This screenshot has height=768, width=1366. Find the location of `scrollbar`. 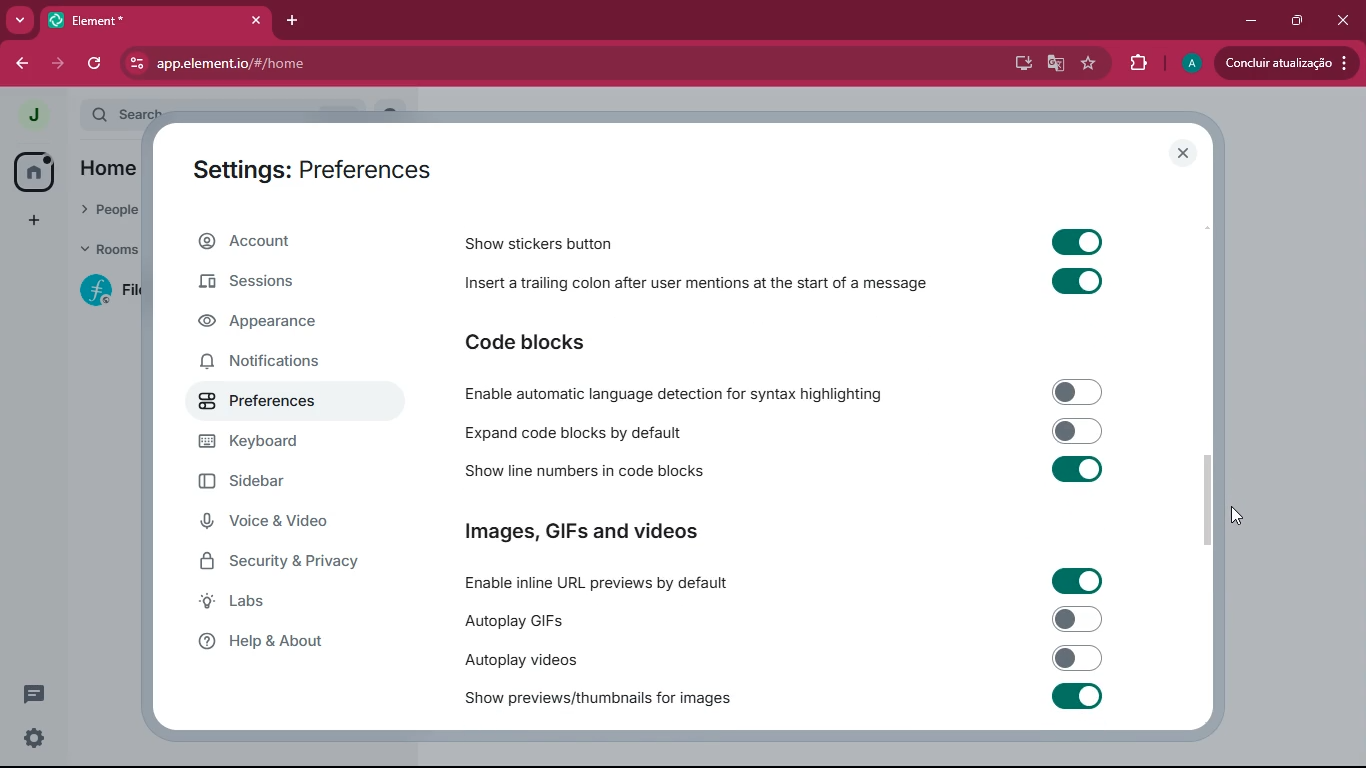

scrollbar is located at coordinates (1207, 499).